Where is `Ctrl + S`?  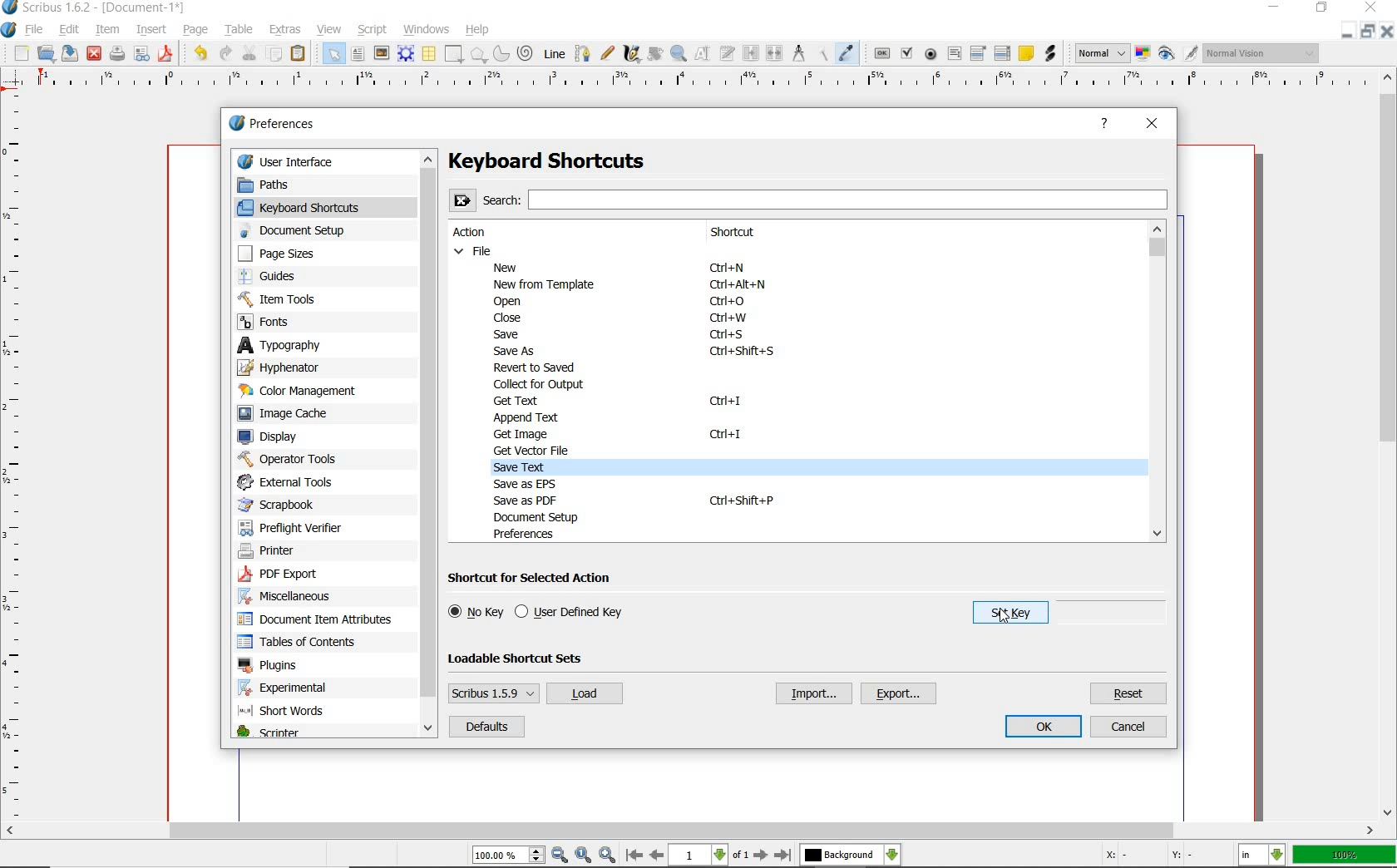
Ctrl + S is located at coordinates (728, 335).